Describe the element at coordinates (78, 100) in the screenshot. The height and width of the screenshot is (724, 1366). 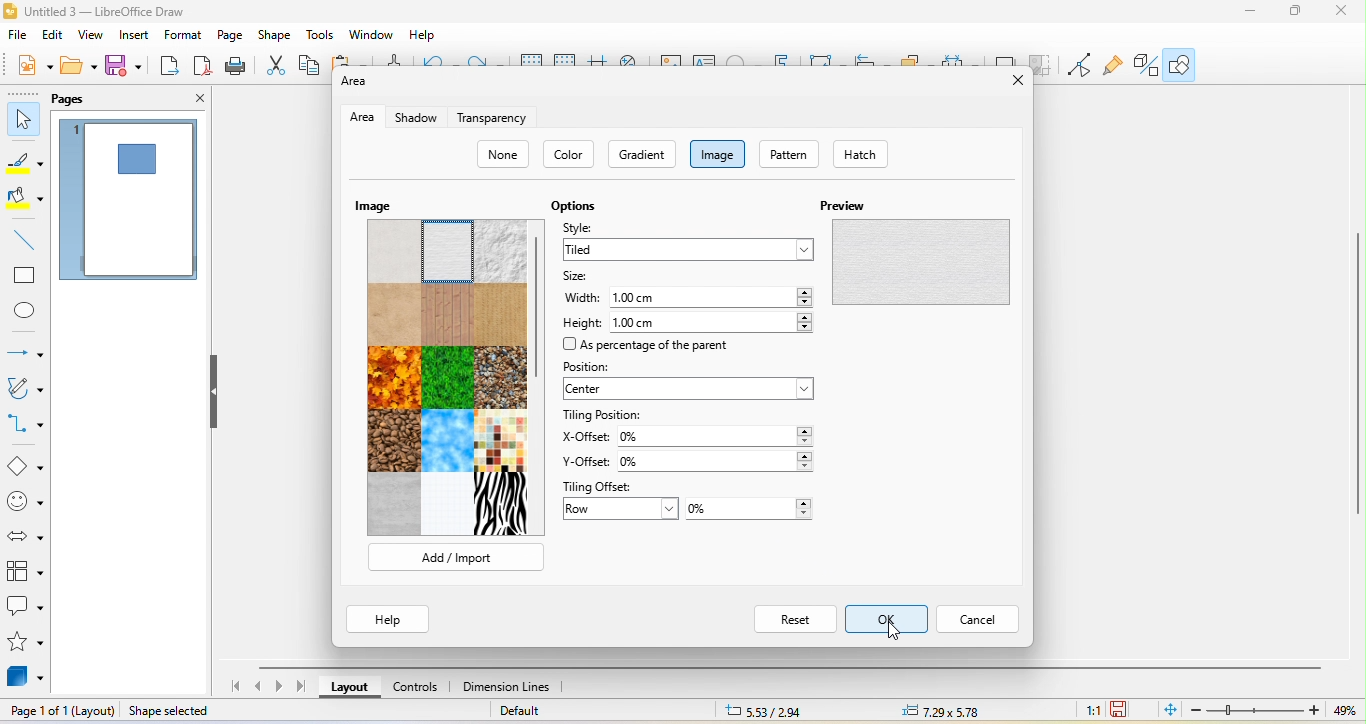
I see `pages` at that location.